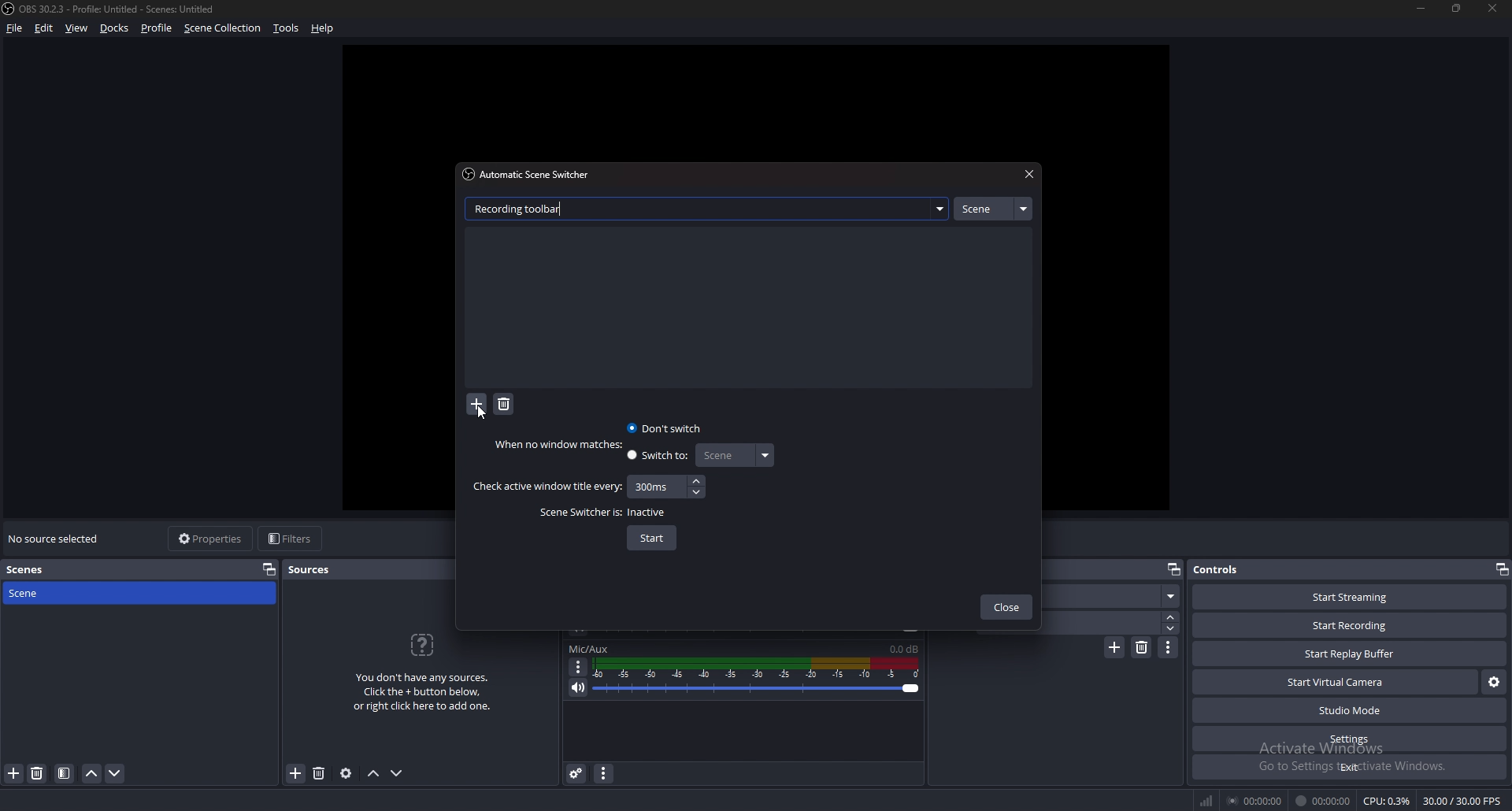  What do you see at coordinates (1169, 647) in the screenshot?
I see `transition properties` at bounding box center [1169, 647].